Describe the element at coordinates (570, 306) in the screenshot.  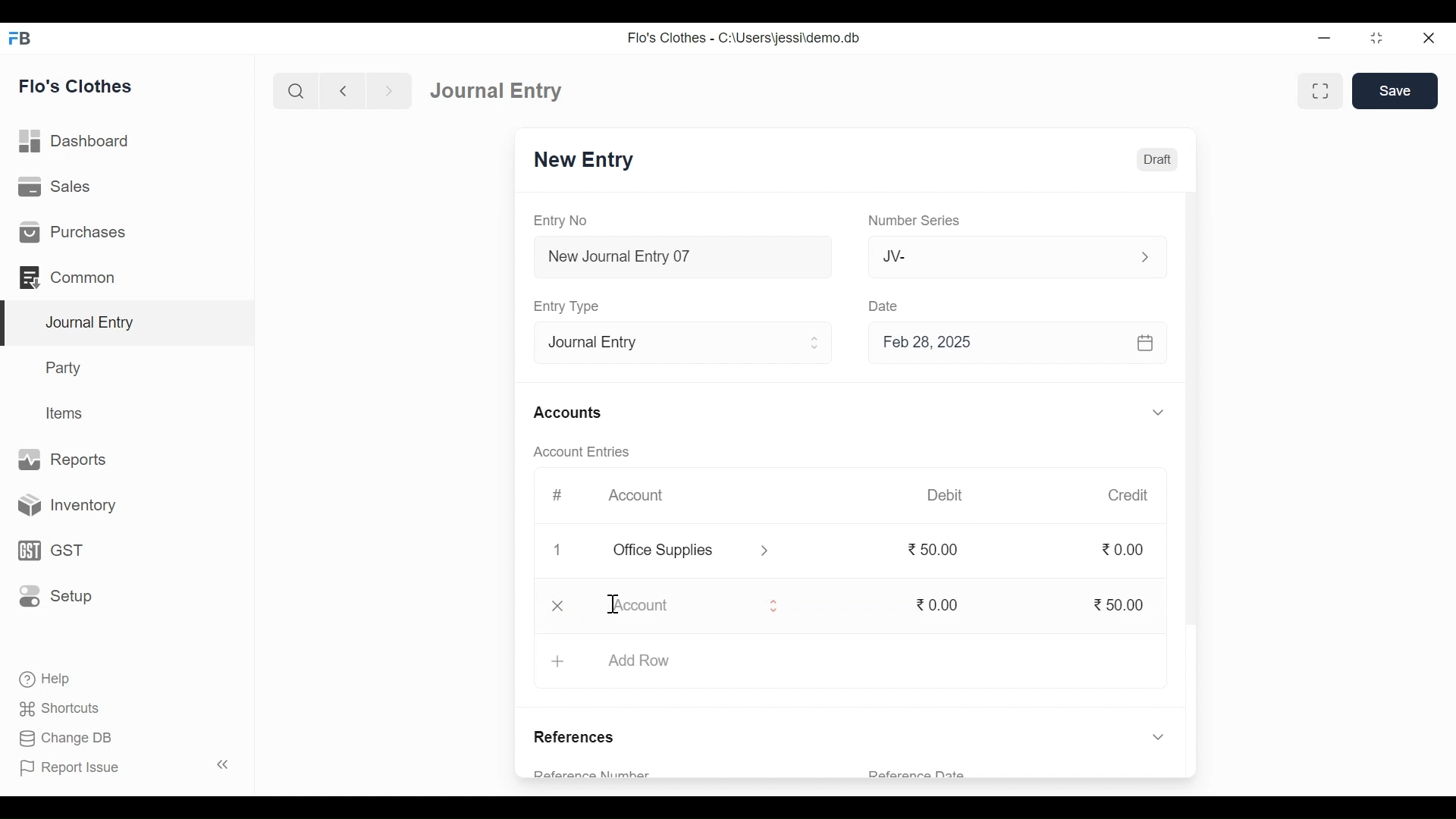
I see `Entry Type` at that location.